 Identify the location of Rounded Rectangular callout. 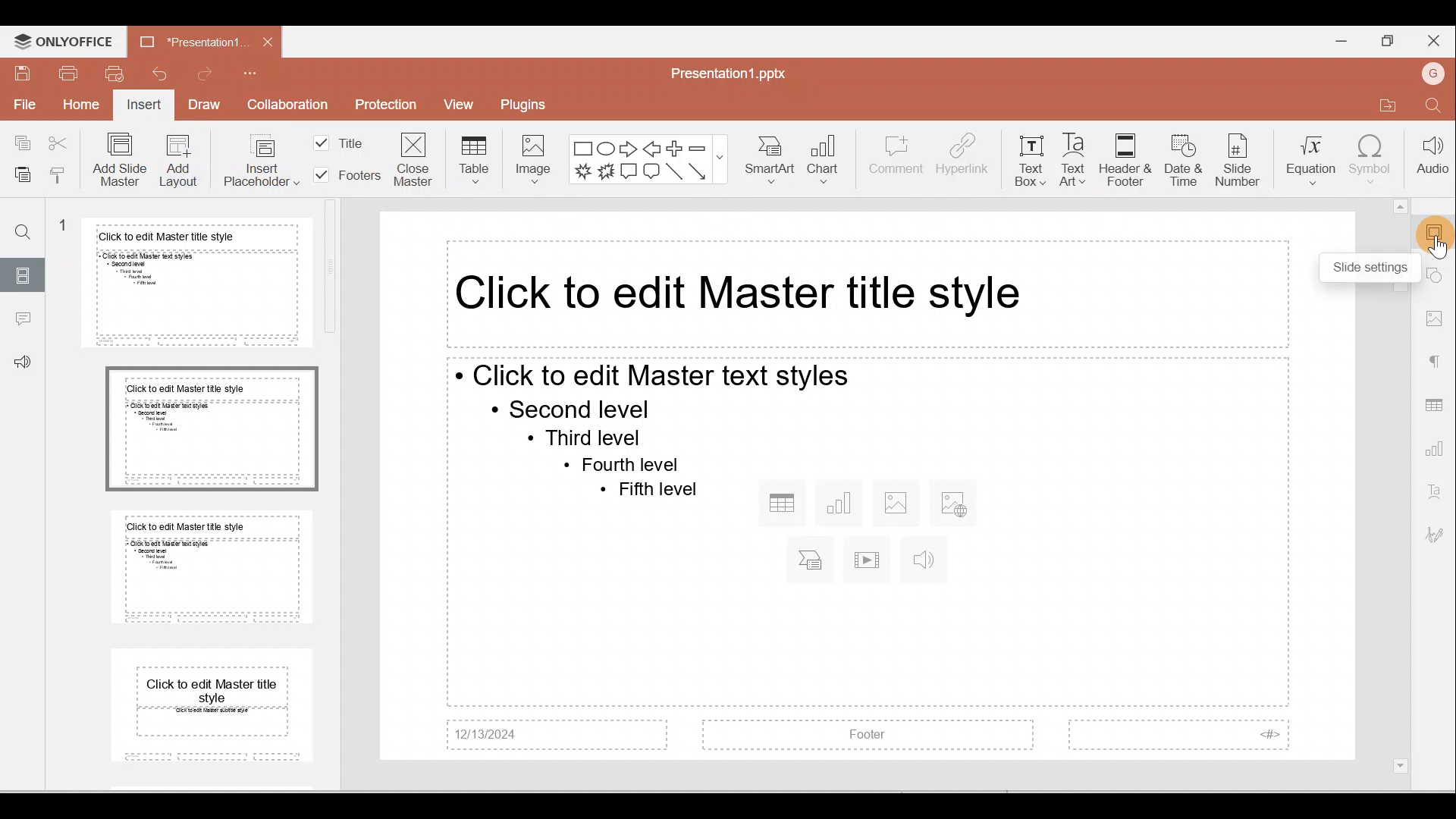
(651, 173).